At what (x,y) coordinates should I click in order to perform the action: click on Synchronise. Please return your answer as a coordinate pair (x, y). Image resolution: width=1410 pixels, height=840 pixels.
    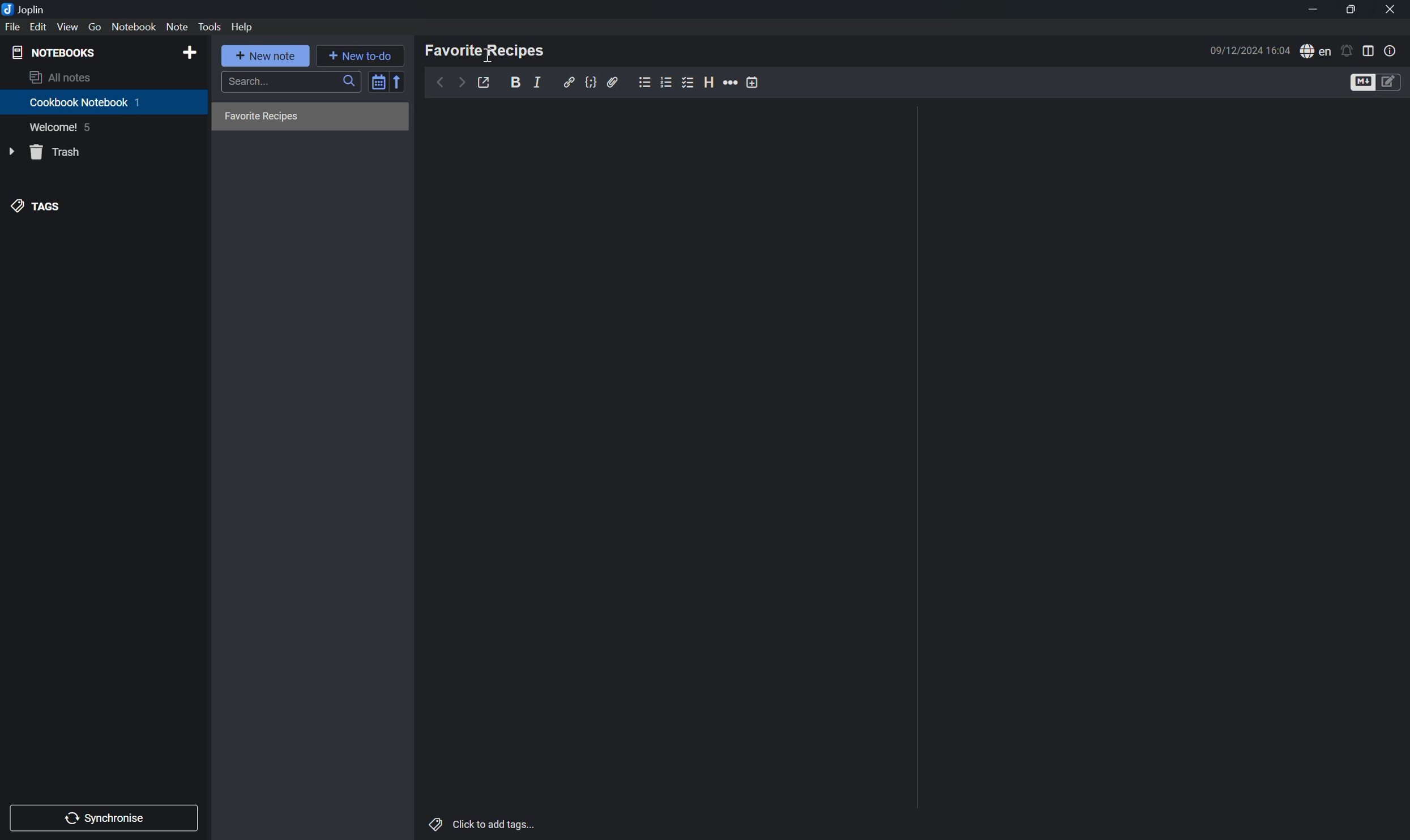
    Looking at the image, I should click on (106, 817).